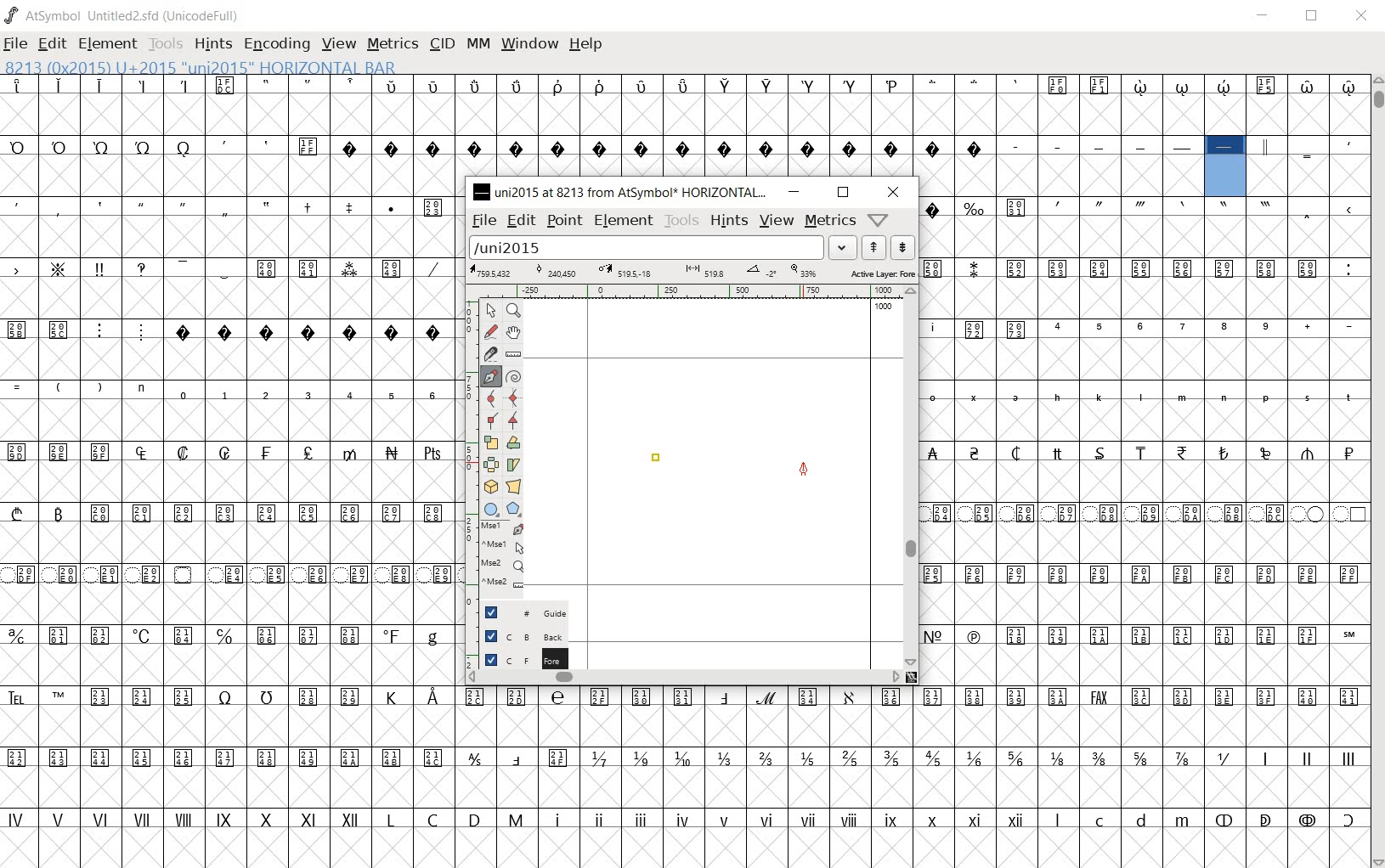 The height and width of the screenshot is (868, 1385). I want to click on hints, so click(730, 223).